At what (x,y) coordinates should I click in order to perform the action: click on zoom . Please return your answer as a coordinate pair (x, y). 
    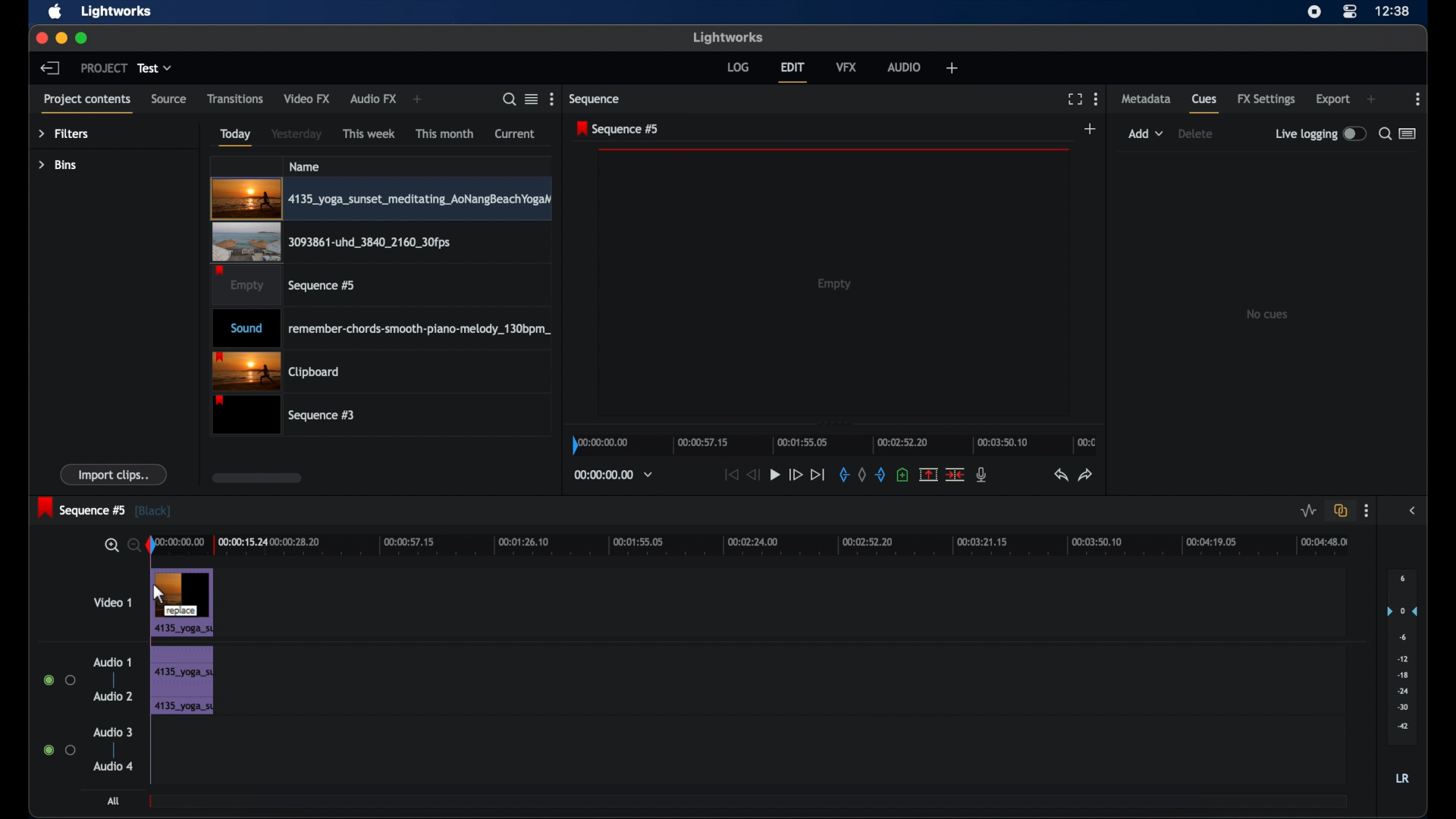
    Looking at the image, I should click on (118, 544).